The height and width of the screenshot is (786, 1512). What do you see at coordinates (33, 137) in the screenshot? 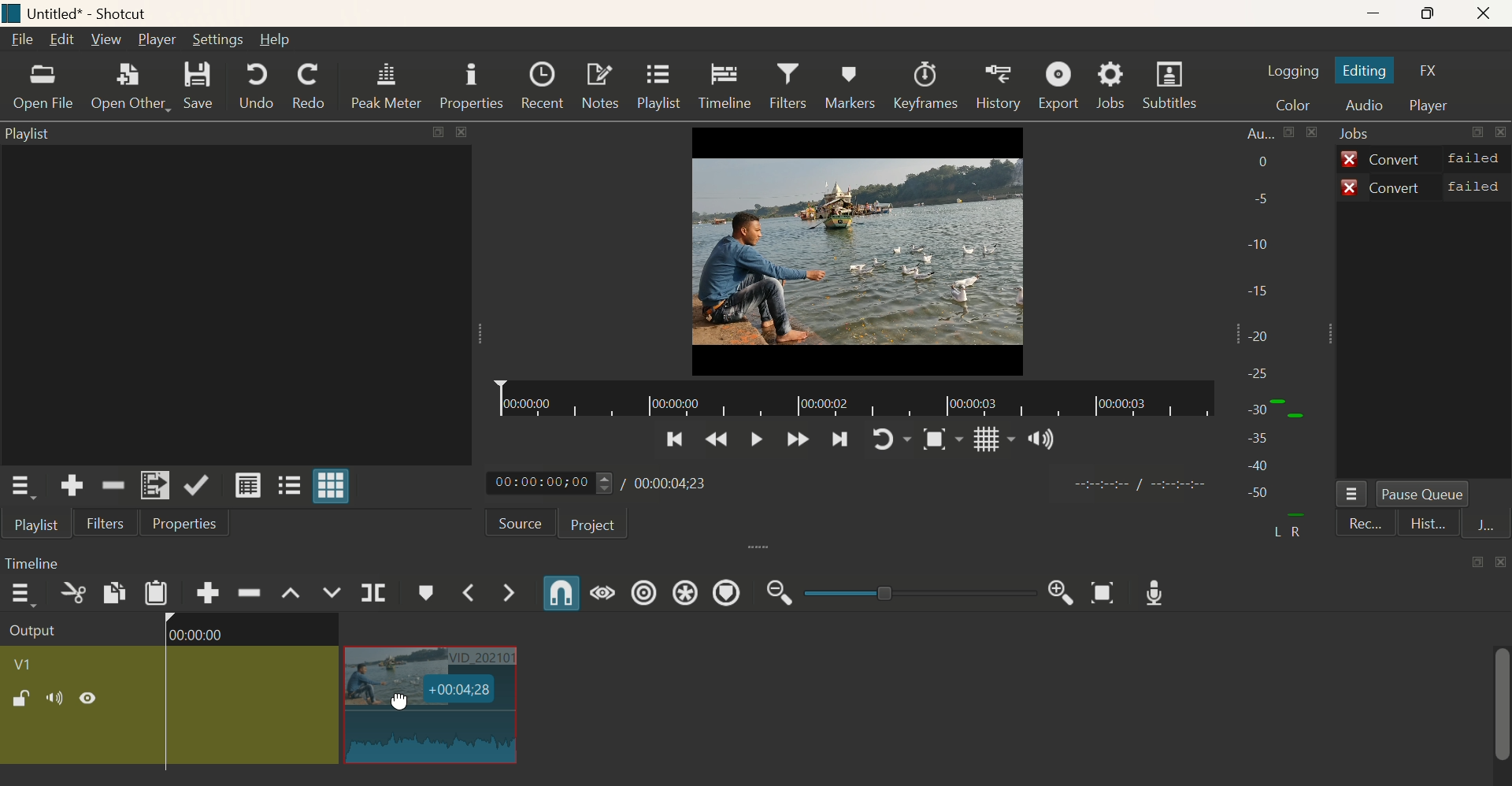
I see `Playlist` at bounding box center [33, 137].